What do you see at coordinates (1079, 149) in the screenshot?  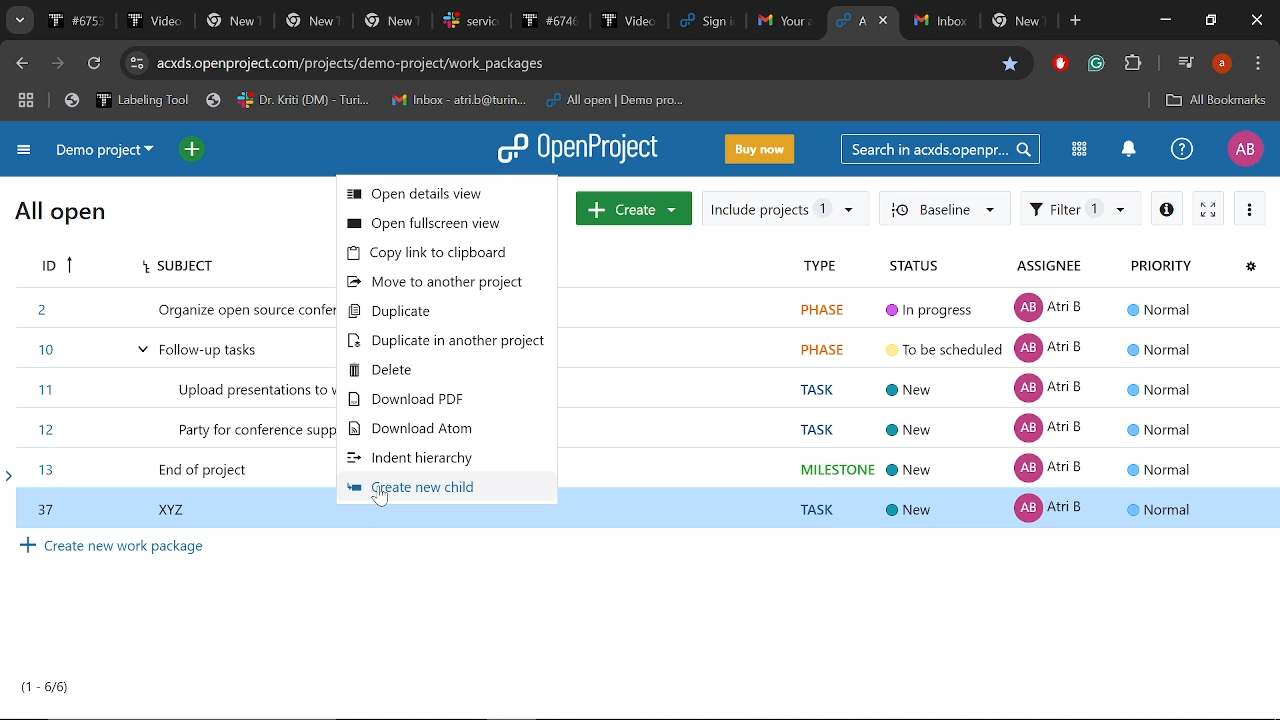 I see `Modules` at bounding box center [1079, 149].